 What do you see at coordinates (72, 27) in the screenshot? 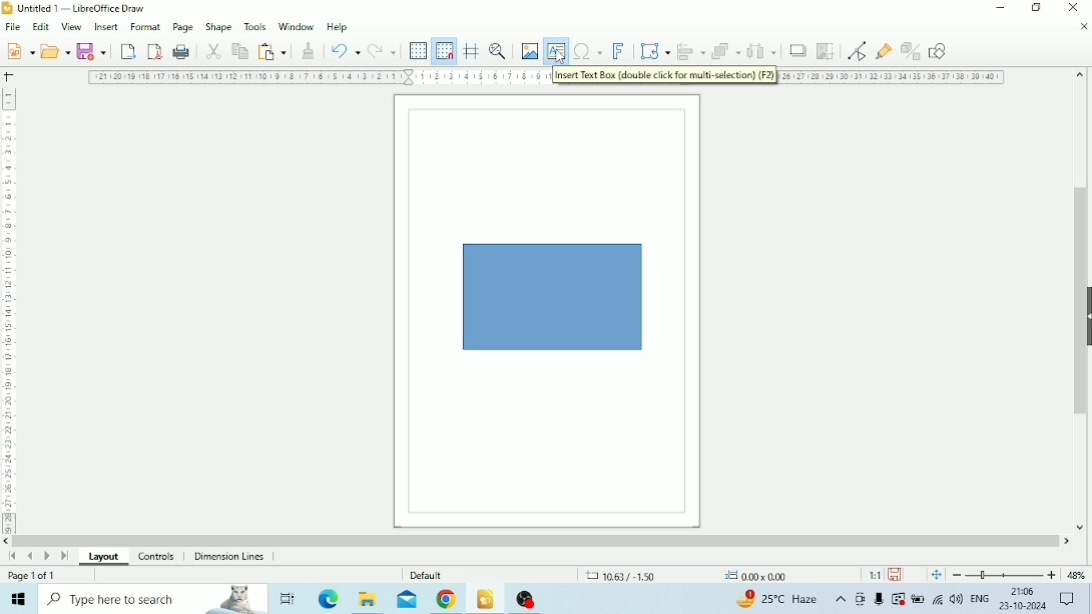
I see `View` at bounding box center [72, 27].